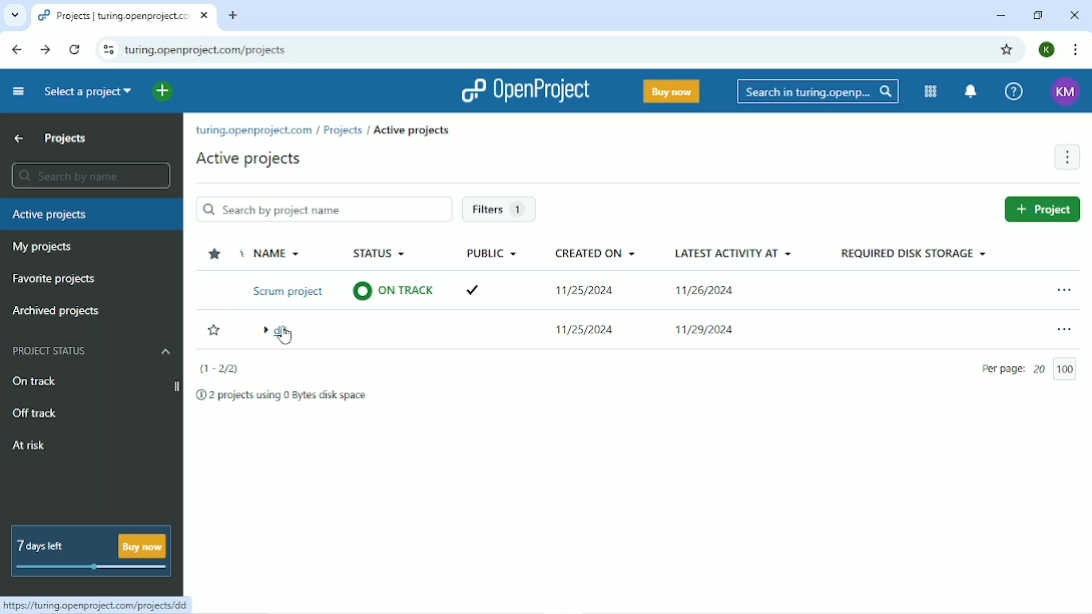 The width and height of the screenshot is (1092, 614). I want to click on Hide, so click(165, 349).